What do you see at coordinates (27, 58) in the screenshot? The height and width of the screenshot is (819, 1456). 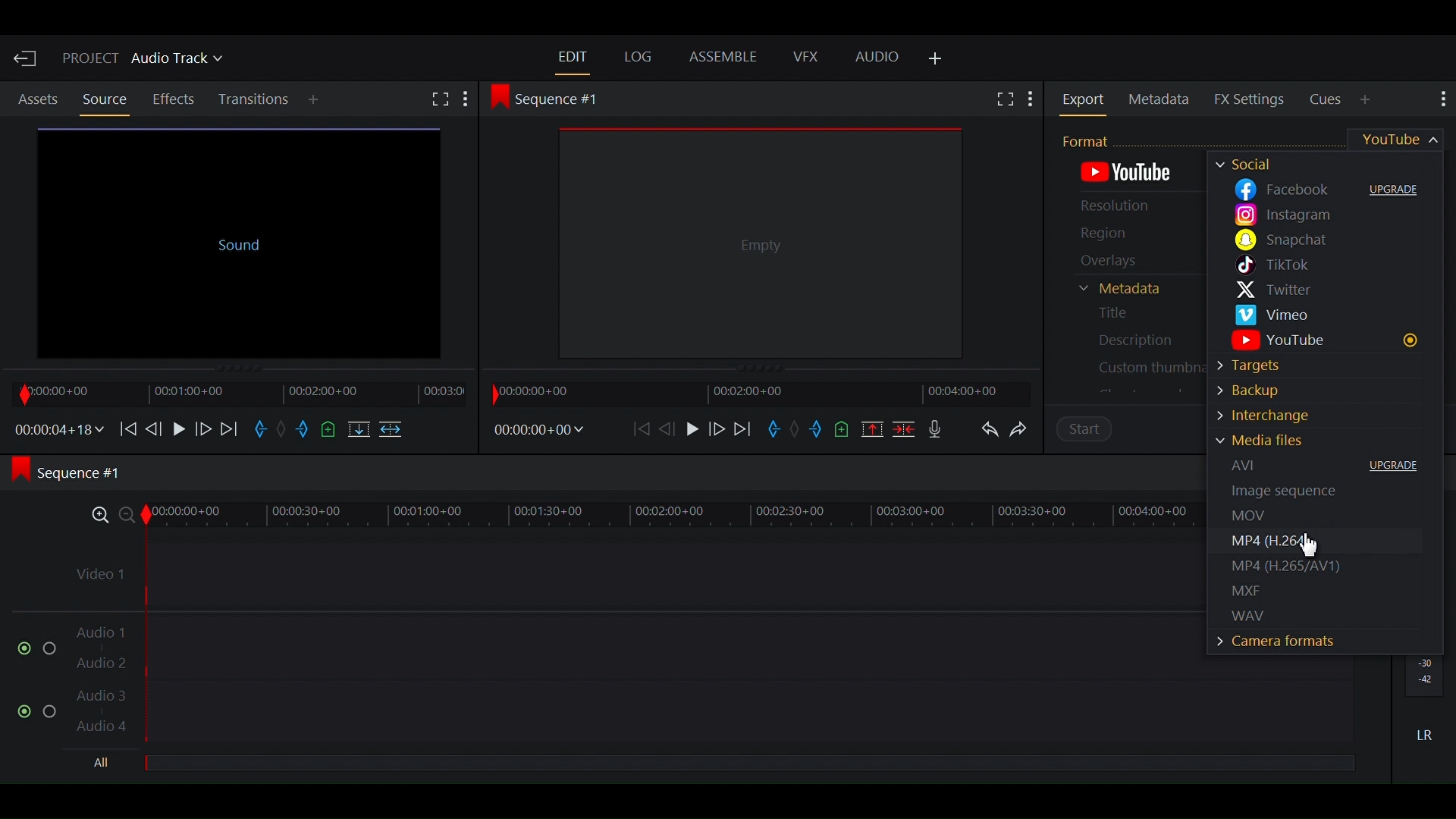 I see `Exit Current Project` at bounding box center [27, 58].